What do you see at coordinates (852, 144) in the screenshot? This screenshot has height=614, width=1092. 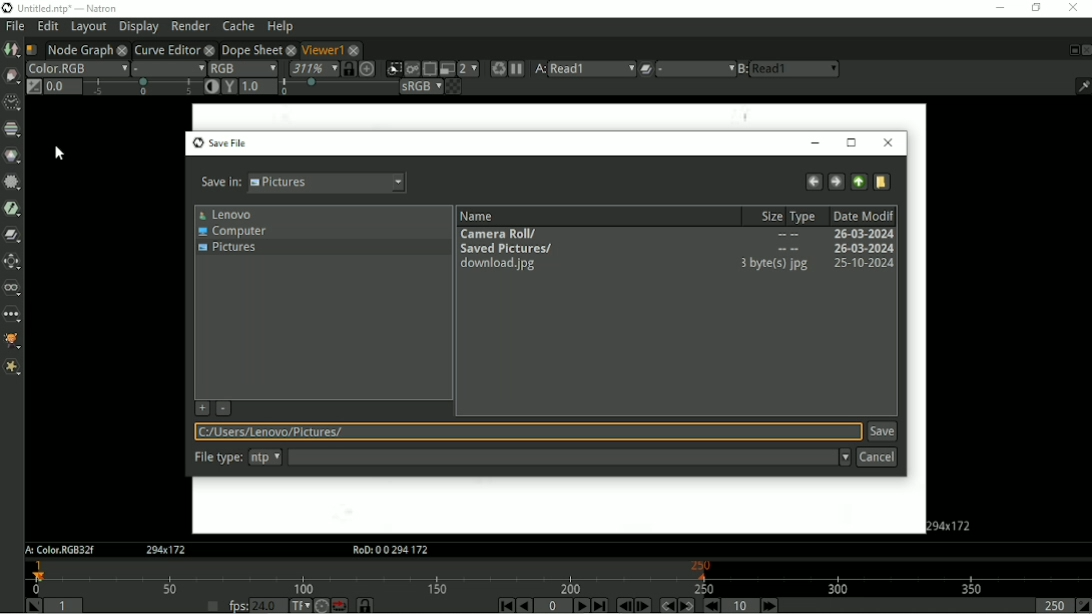 I see `Maximize` at bounding box center [852, 144].